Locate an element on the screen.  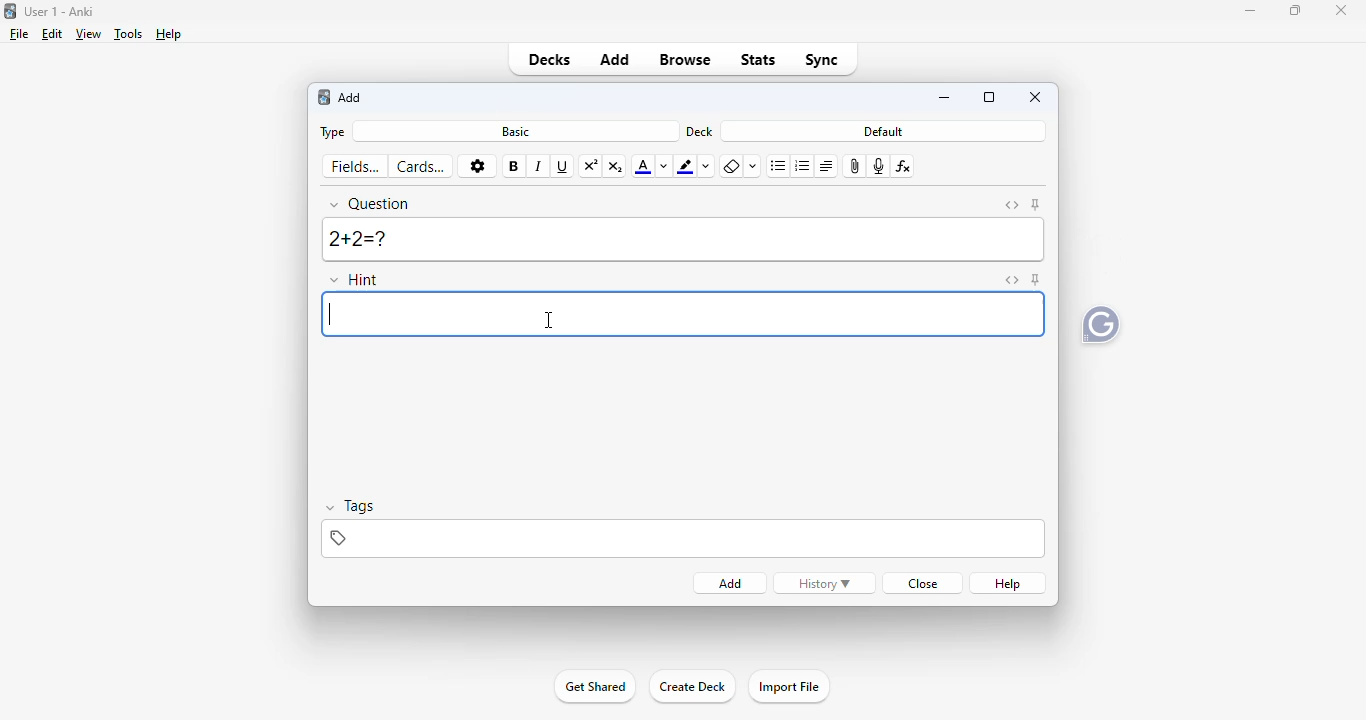
logo is located at coordinates (323, 97).